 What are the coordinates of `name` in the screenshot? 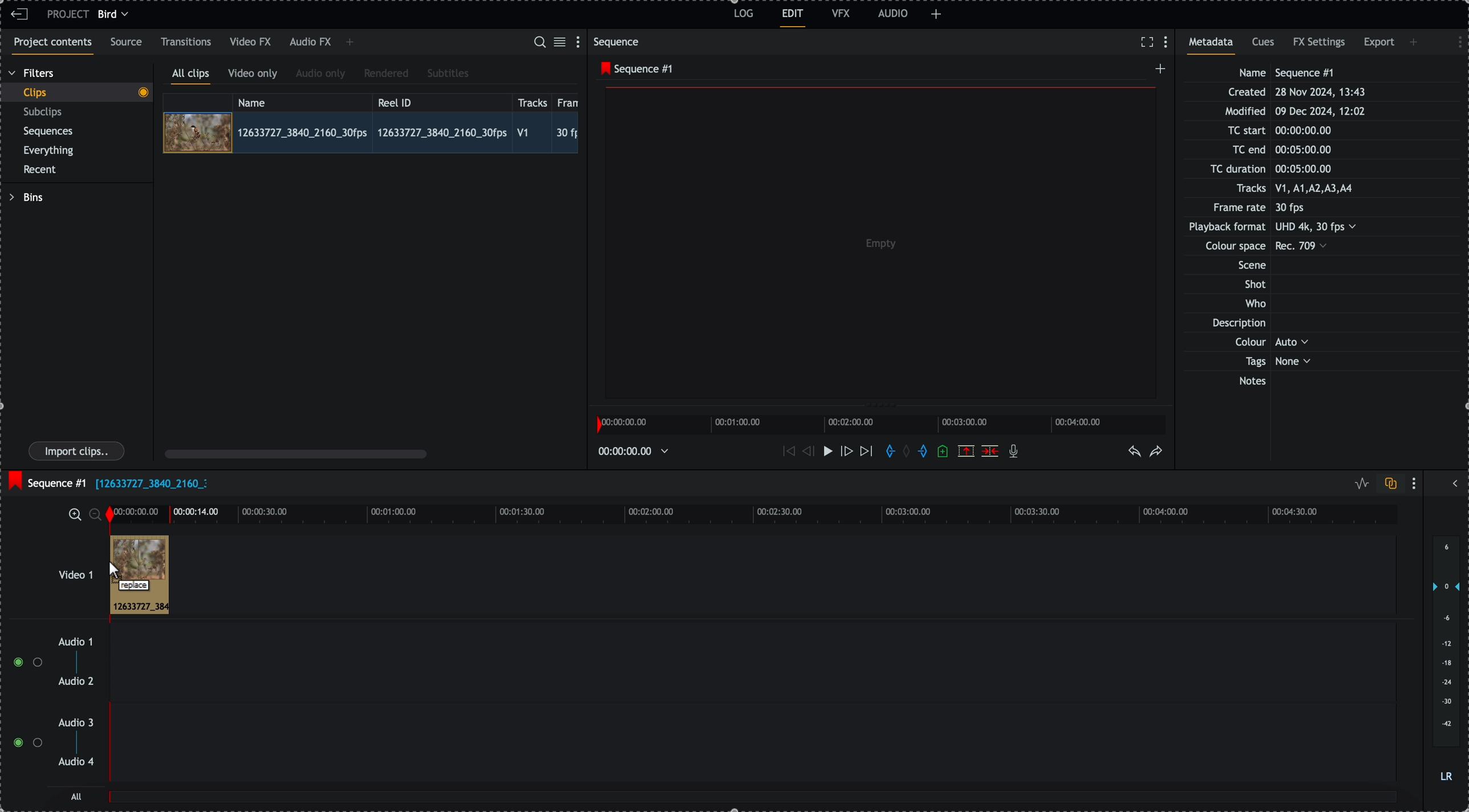 It's located at (302, 101).